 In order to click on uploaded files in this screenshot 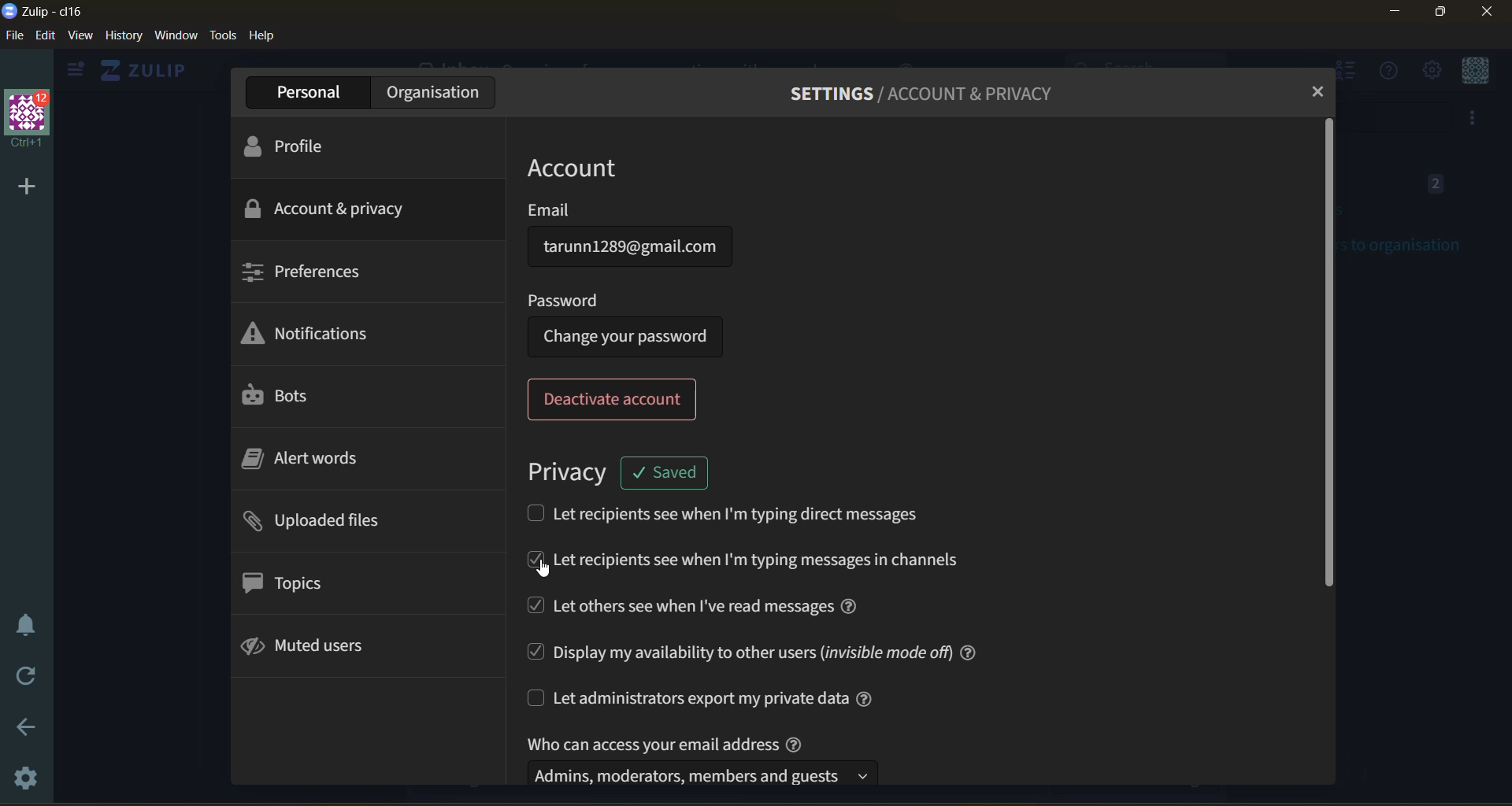, I will do `click(319, 524)`.